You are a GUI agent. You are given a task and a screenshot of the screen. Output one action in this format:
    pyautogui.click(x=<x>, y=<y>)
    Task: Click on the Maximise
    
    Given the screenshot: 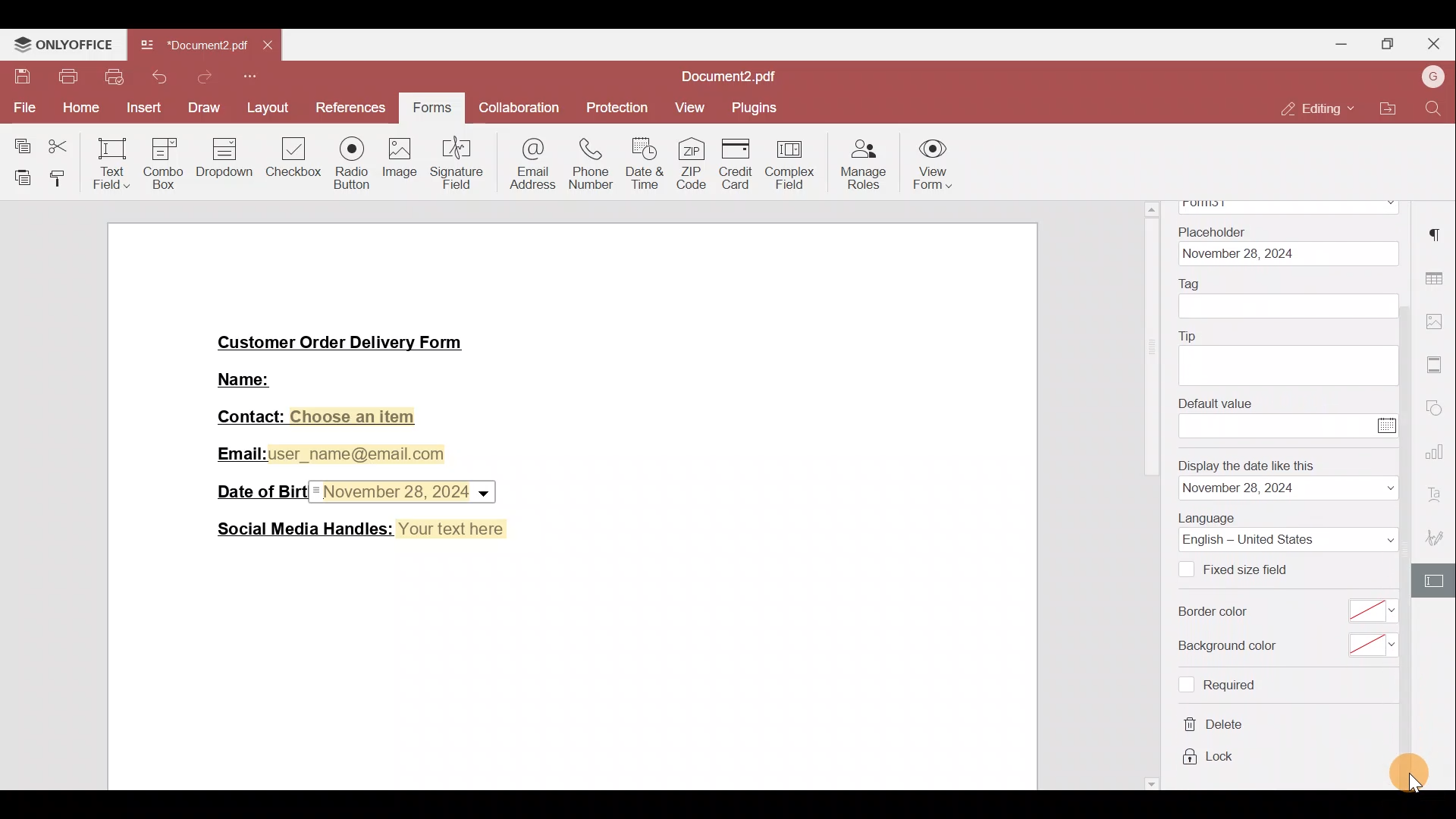 What is the action you would take?
    pyautogui.click(x=1389, y=42)
    